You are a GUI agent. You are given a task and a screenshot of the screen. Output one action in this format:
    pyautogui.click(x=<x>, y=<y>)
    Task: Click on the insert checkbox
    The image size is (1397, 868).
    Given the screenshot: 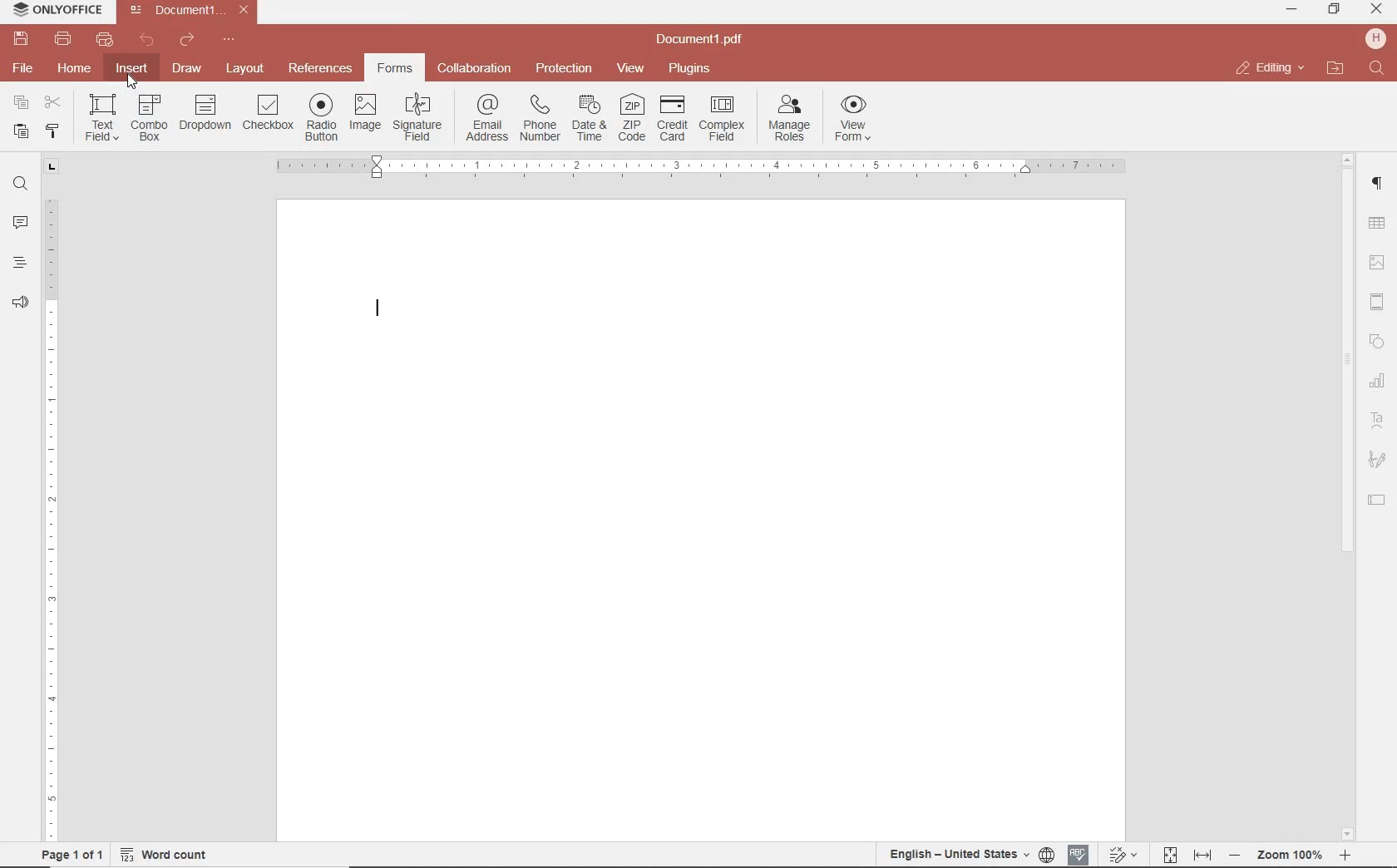 What is the action you would take?
    pyautogui.click(x=268, y=113)
    